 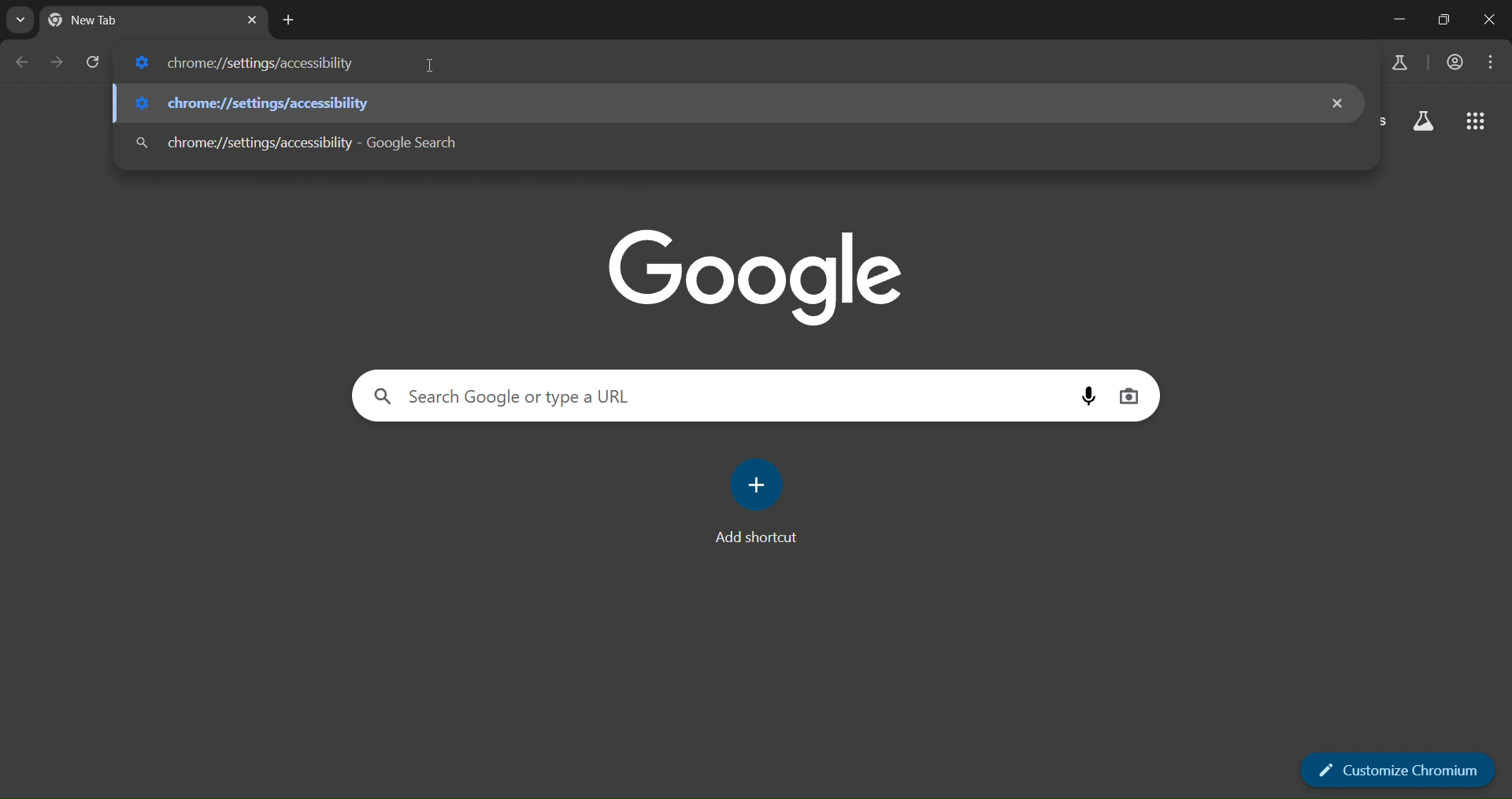 What do you see at coordinates (1337, 103) in the screenshot?
I see `close` at bounding box center [1337, 103].